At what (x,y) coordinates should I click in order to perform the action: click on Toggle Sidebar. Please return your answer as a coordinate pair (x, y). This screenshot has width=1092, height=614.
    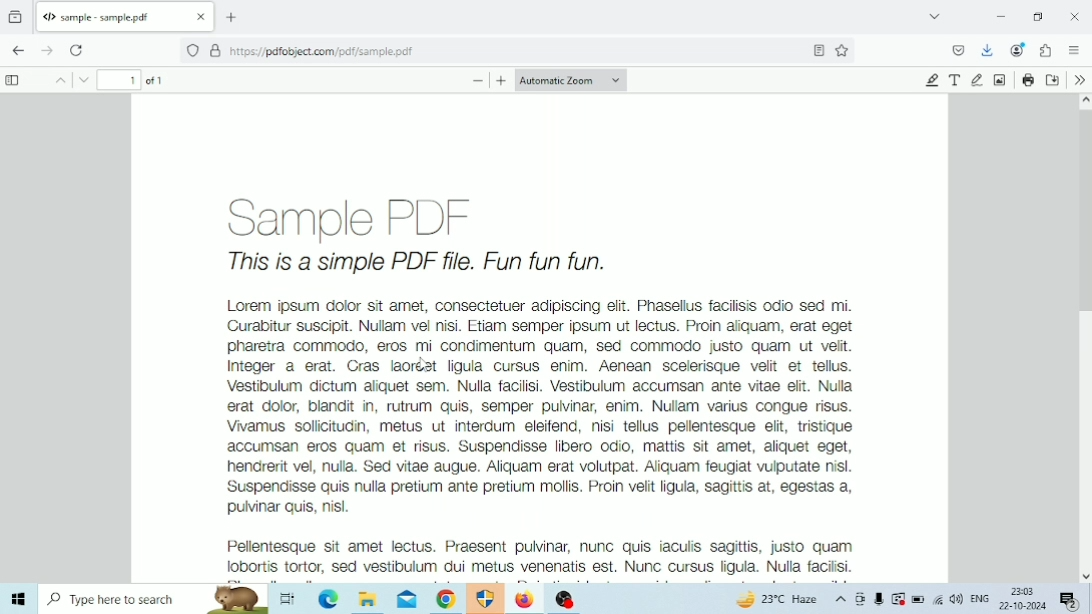
    Looking at the image, I should click on (15, 81).